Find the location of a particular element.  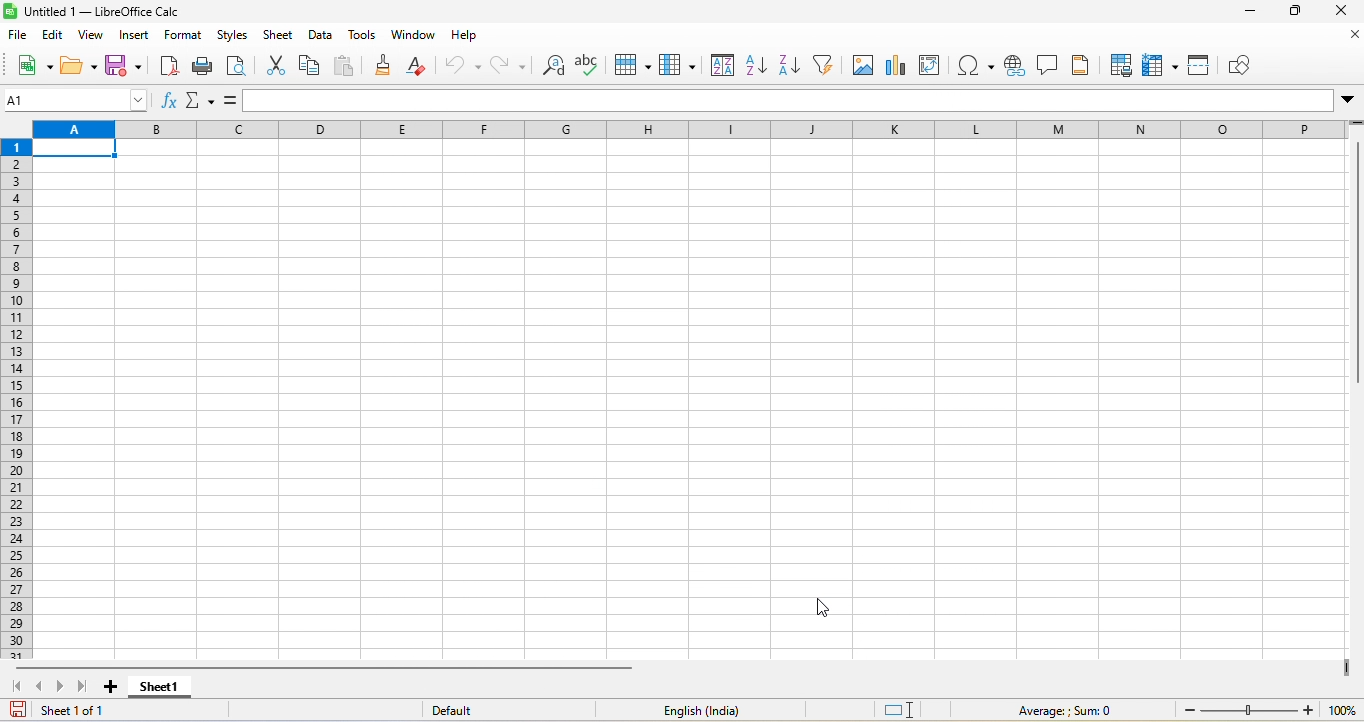

standard selection is located at coordinates (902, 709).